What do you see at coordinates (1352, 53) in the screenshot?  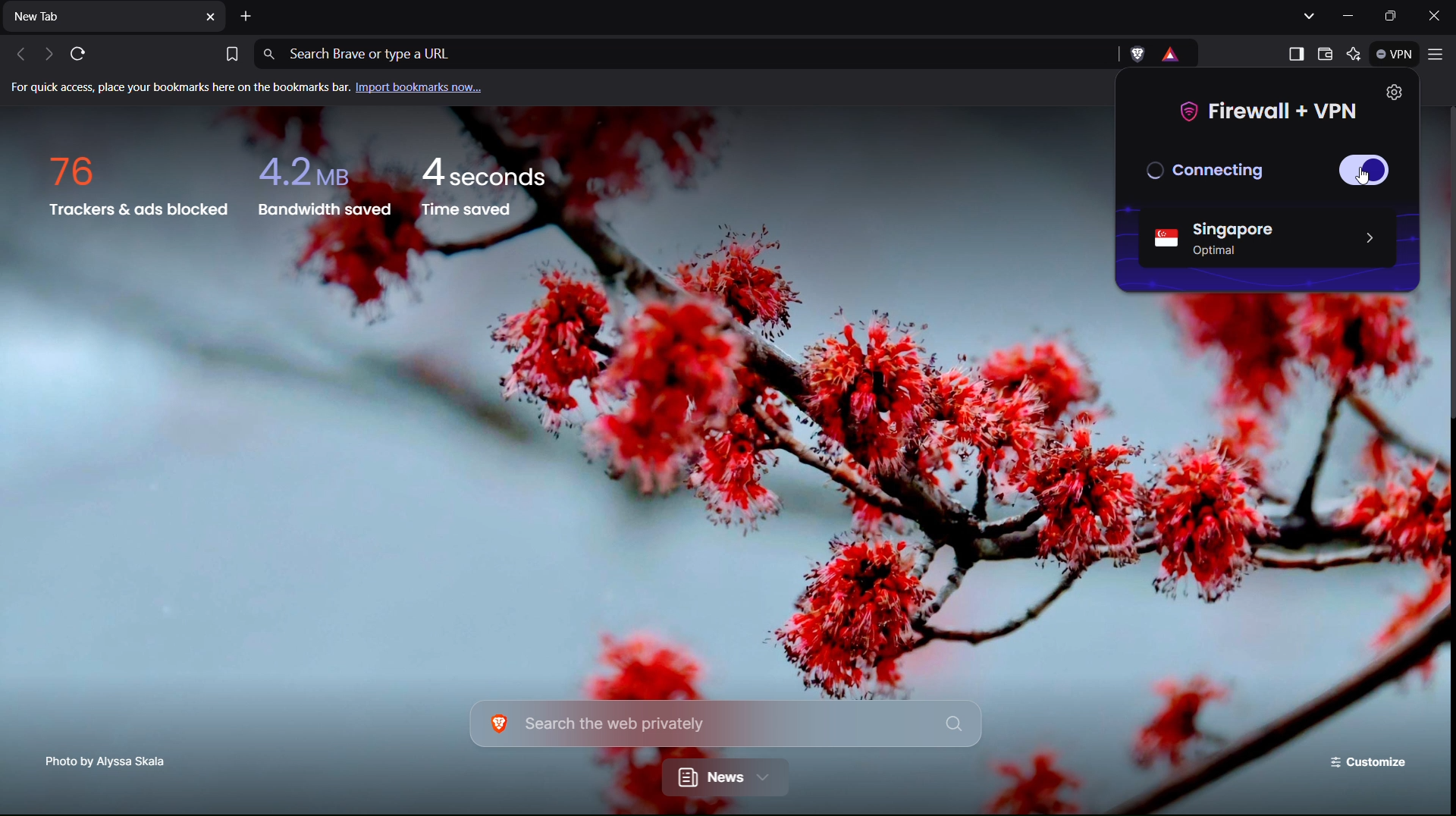 I see `Leo AI` at bounding box center [1352, 53].